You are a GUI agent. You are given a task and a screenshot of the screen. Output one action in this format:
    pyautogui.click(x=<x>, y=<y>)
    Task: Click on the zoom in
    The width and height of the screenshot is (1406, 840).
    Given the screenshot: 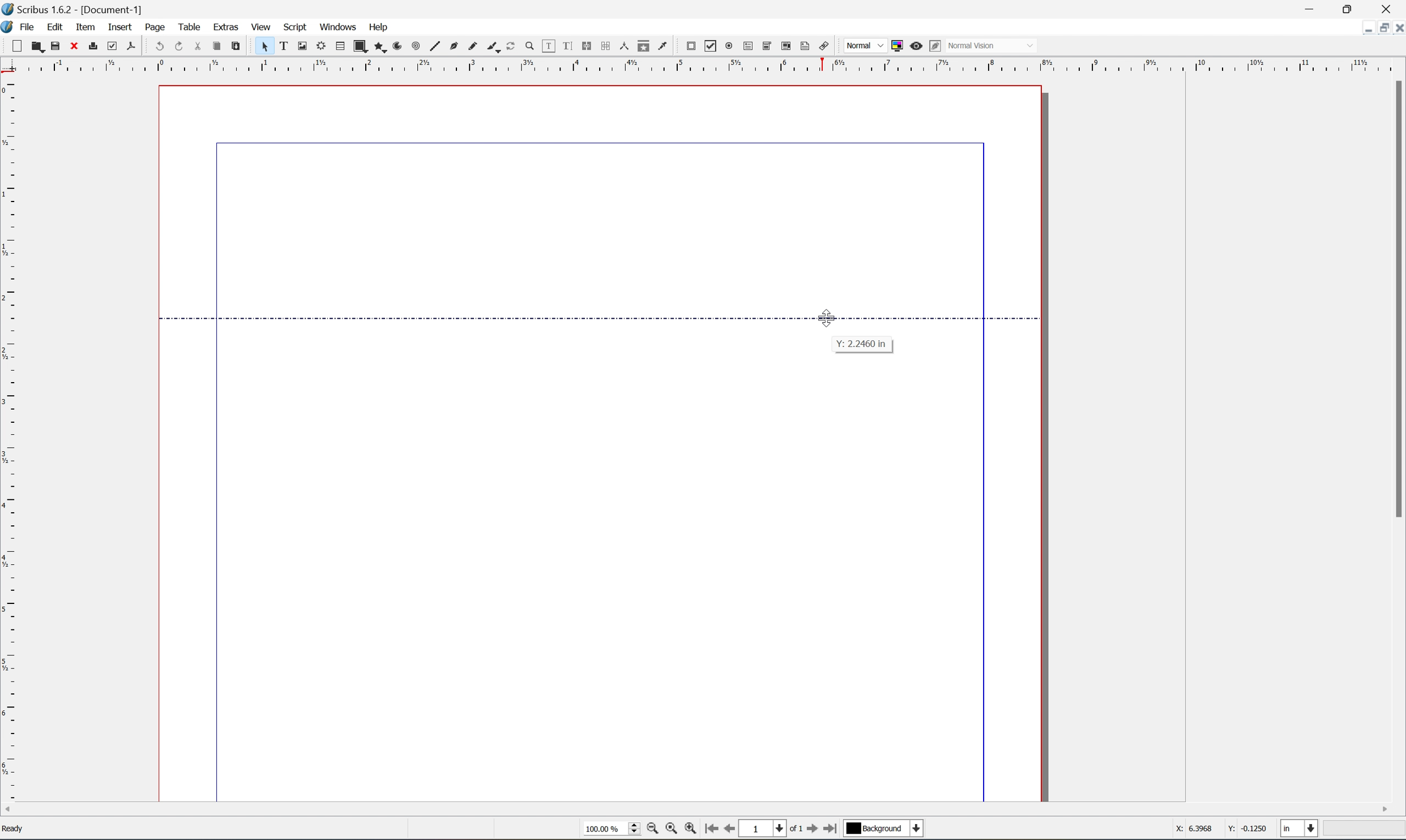 What is the action you would take?
    pyautogui.click(x=694, y=831)
    